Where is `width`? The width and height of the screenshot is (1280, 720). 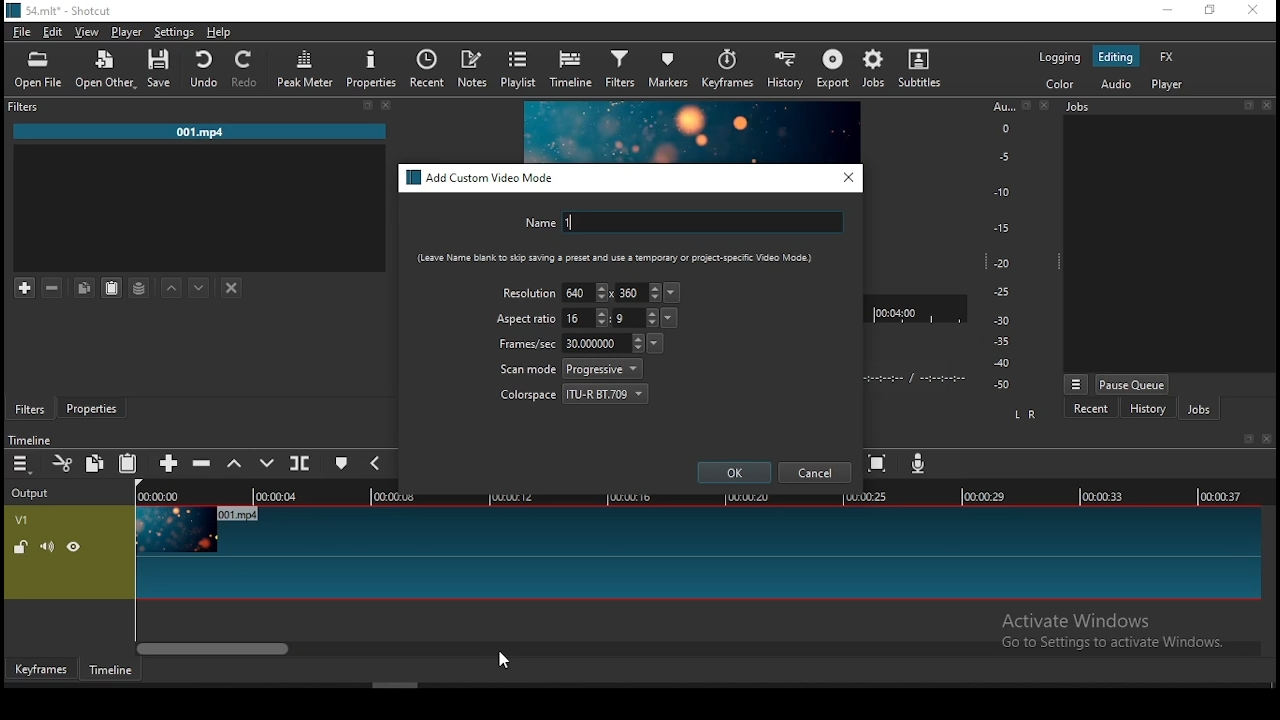
width is located at coordinates (585, 291).